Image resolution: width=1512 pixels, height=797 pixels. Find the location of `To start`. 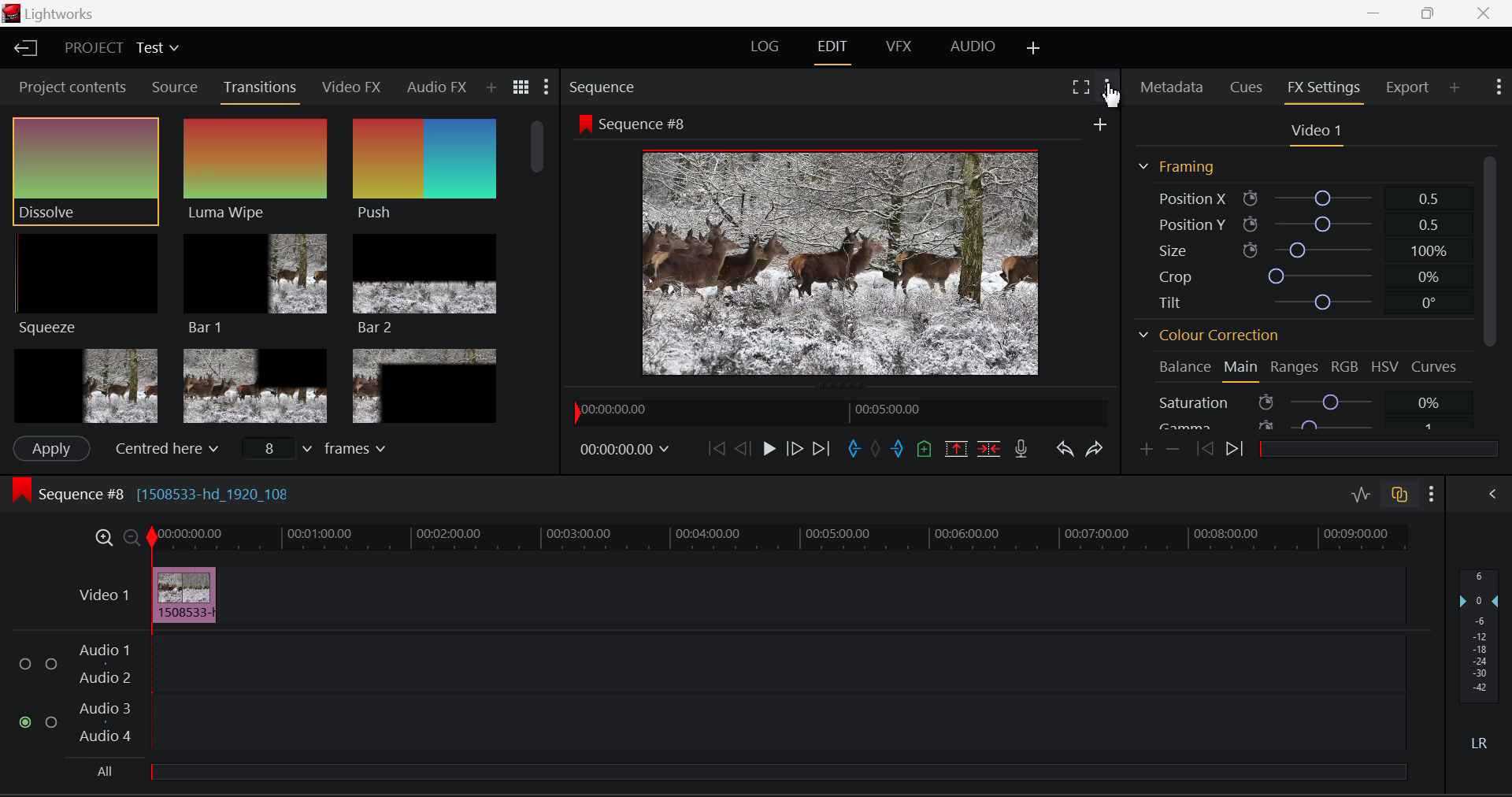

To start is located at coordinates (713, 449).